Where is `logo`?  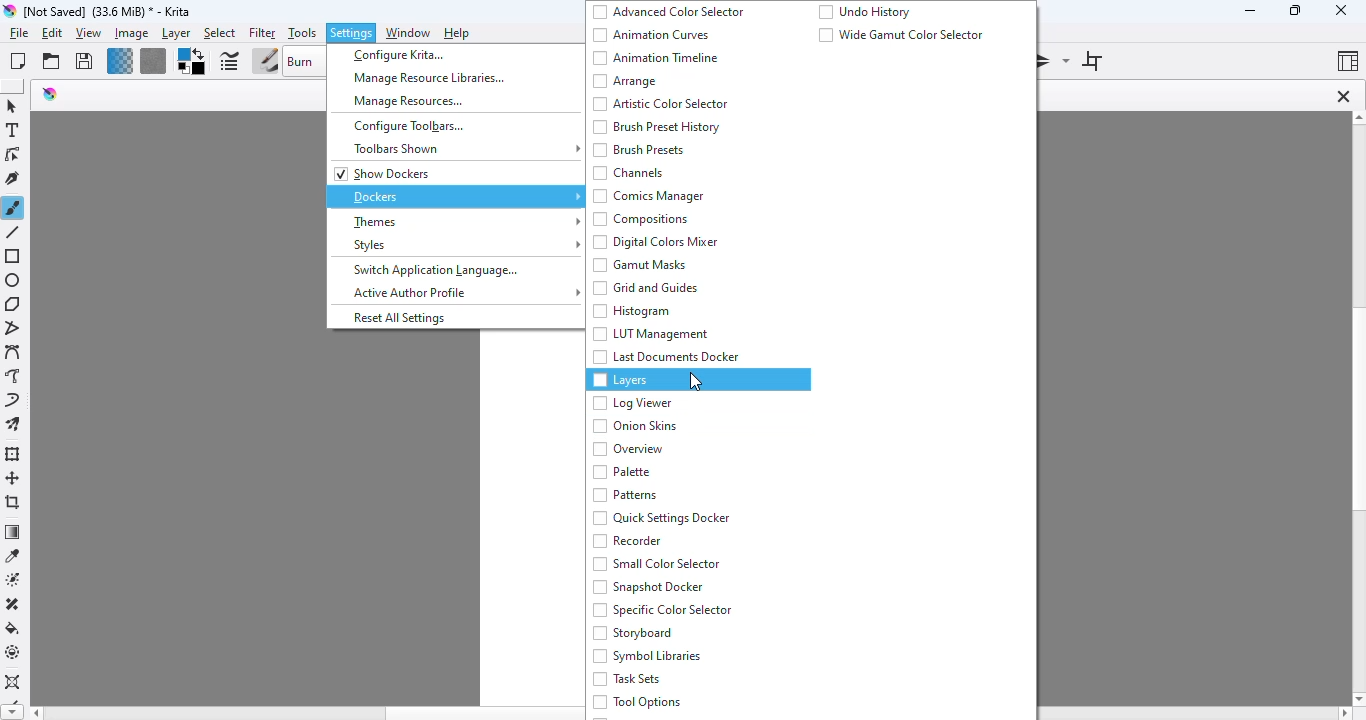
logo is located at coordinates (50, 93).